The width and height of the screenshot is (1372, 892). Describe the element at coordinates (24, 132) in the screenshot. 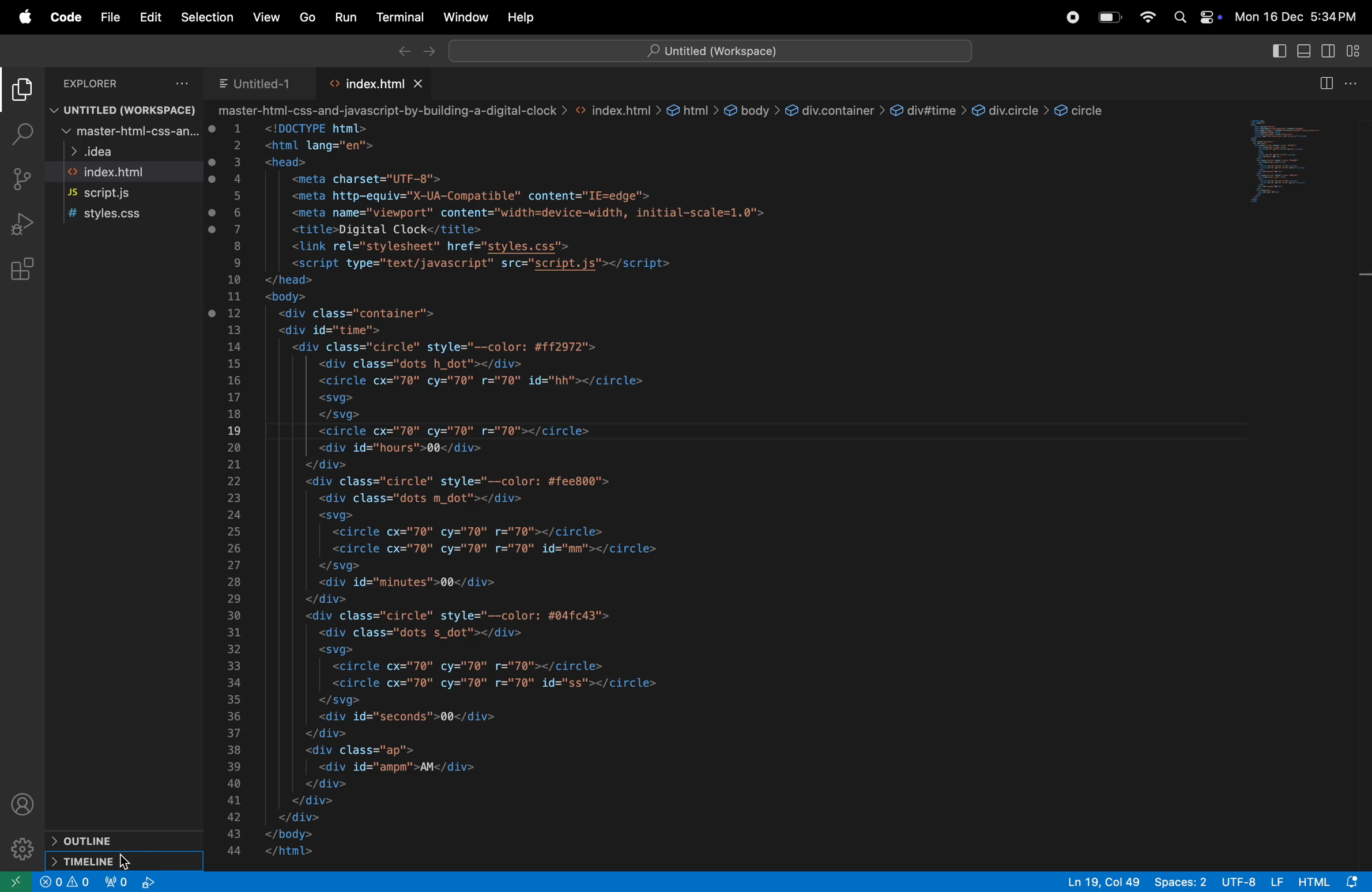

I see `search` at that location.